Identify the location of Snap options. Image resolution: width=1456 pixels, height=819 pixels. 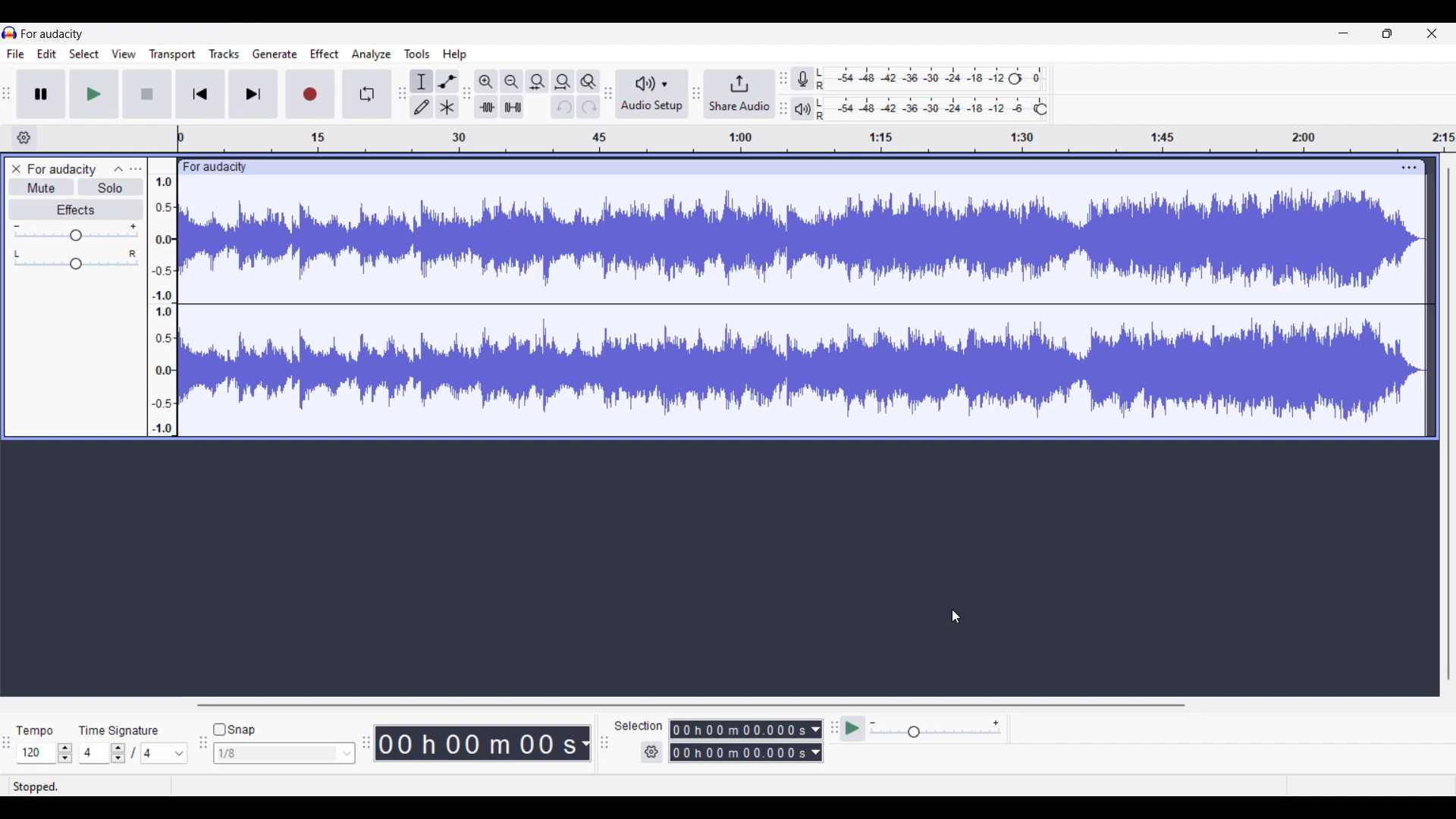
(285, 753).